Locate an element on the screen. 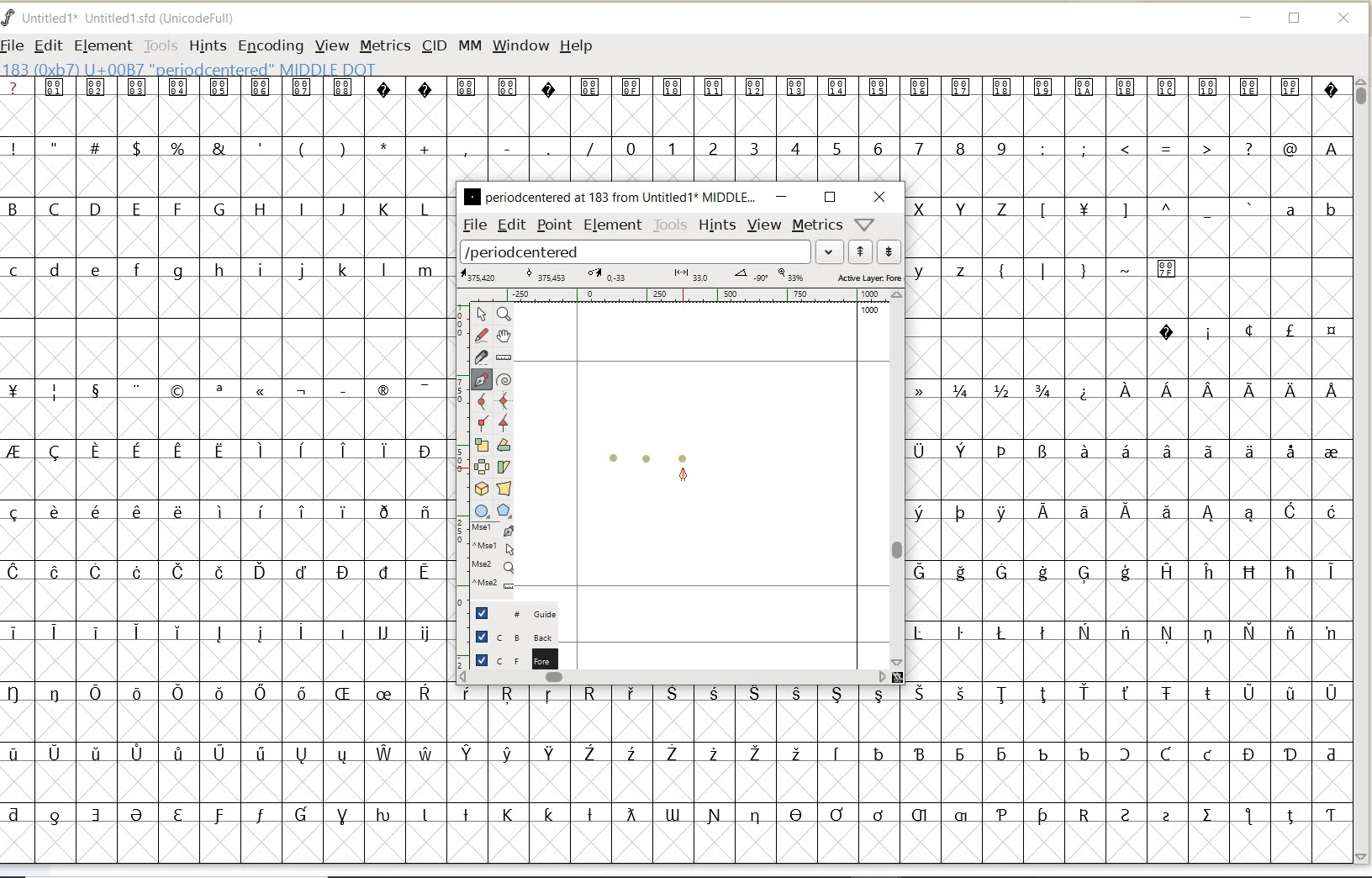  feltpen tool/cursor location is located at coordinates (683, 475).